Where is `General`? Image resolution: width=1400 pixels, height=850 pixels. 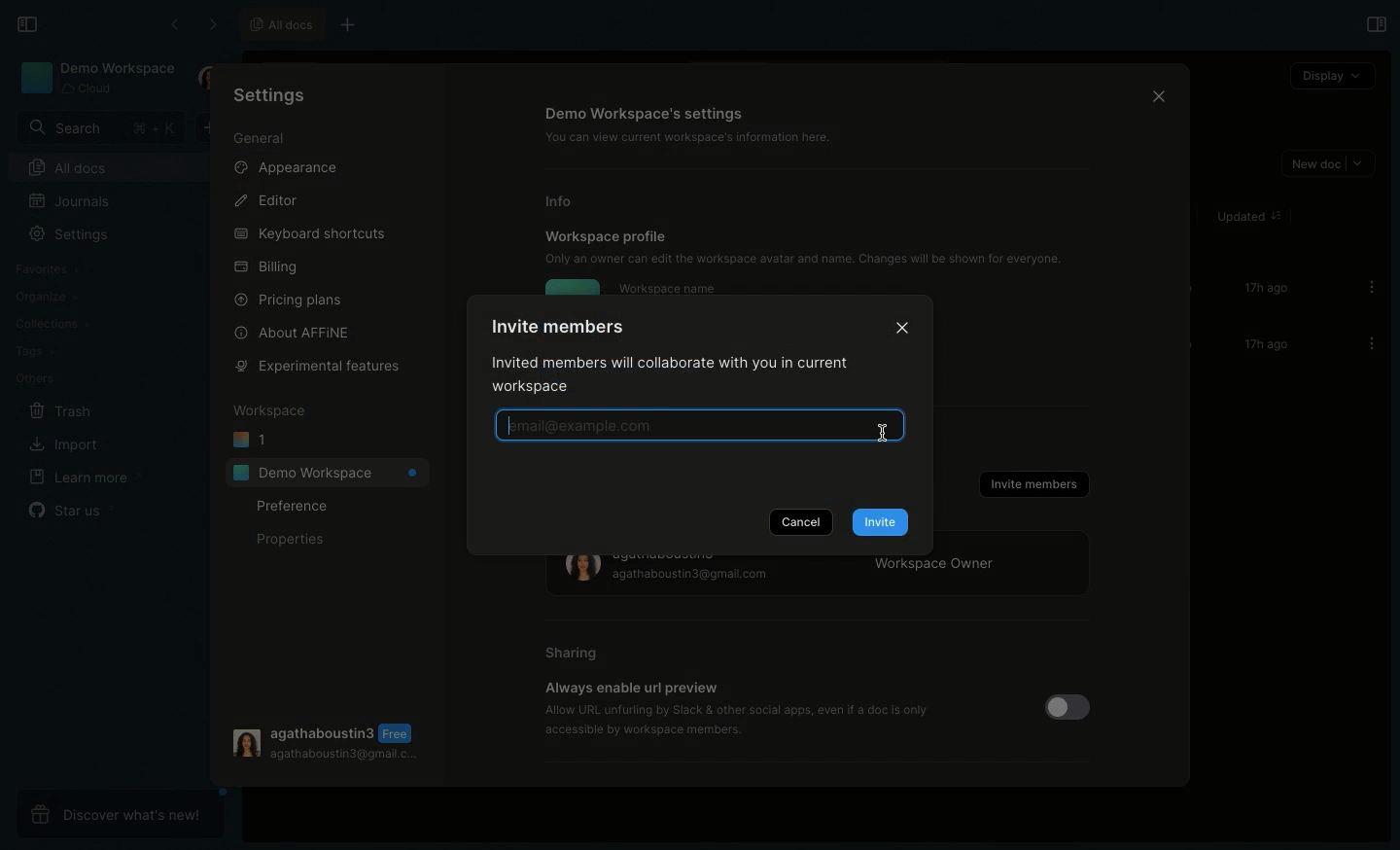 General is located at coordinates (262, 137).